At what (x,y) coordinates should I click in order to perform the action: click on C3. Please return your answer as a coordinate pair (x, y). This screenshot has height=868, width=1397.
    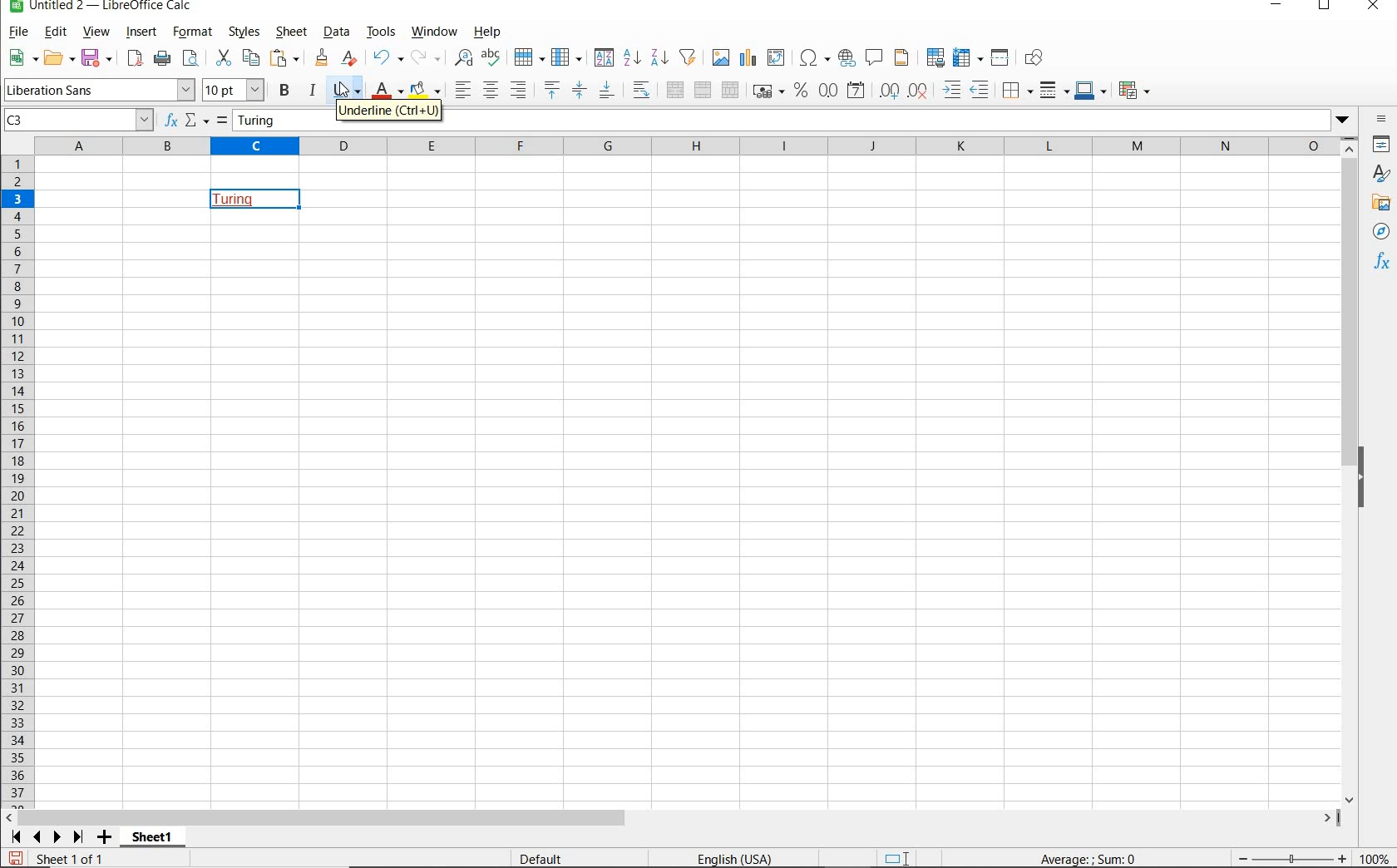
    Looking at the image, I should click on (78, 119).